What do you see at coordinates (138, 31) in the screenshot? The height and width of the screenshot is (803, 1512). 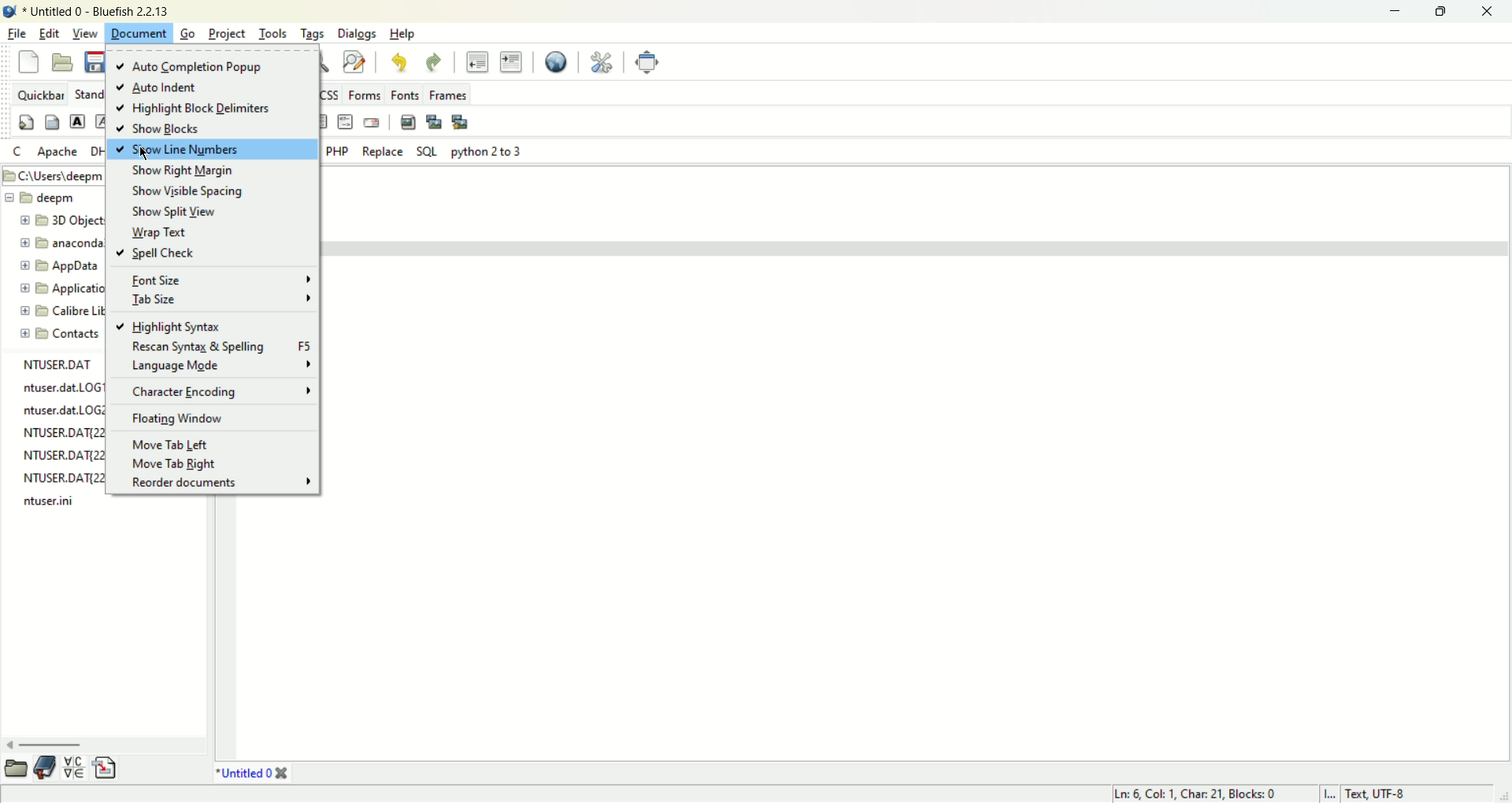 I see `document` at bounding box center [138, 31].